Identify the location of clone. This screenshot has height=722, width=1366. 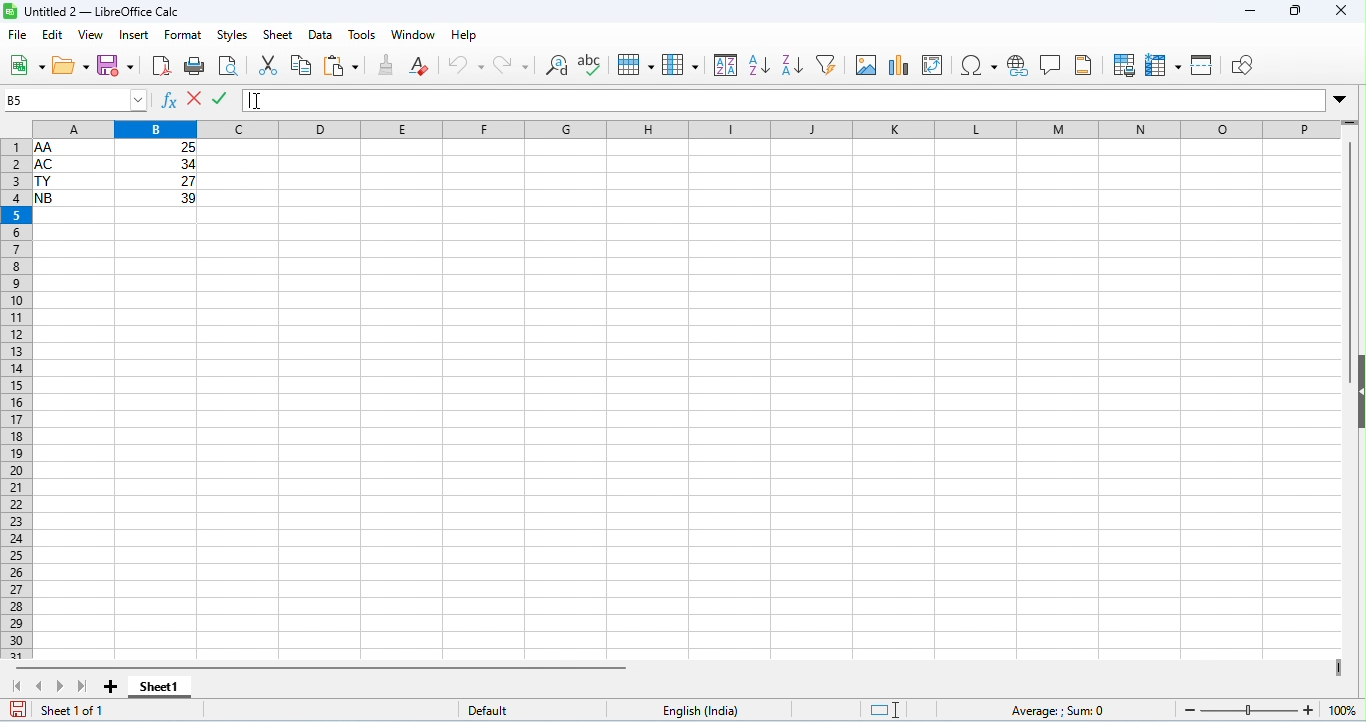
(388, 64).